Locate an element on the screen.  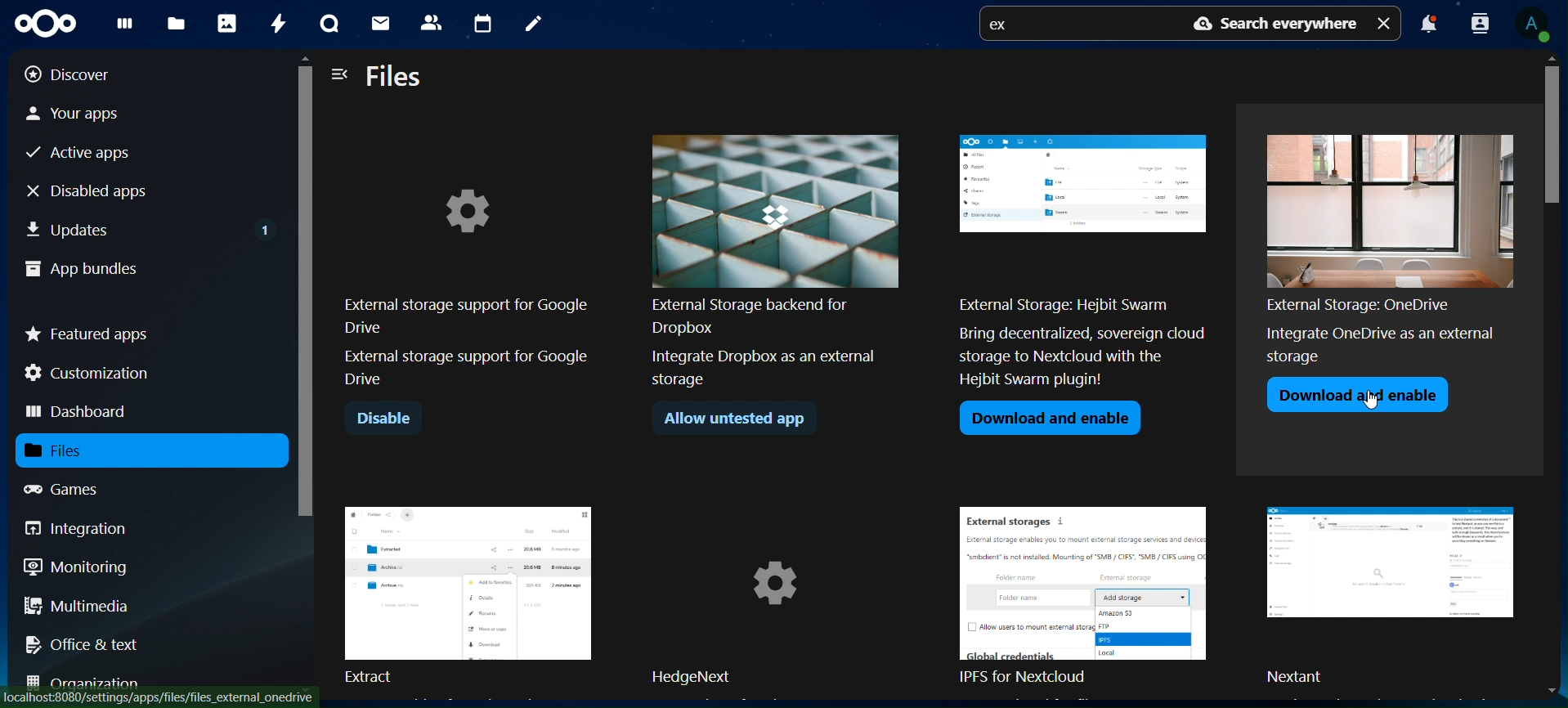
dashboard is located at coordinates (124, 27).